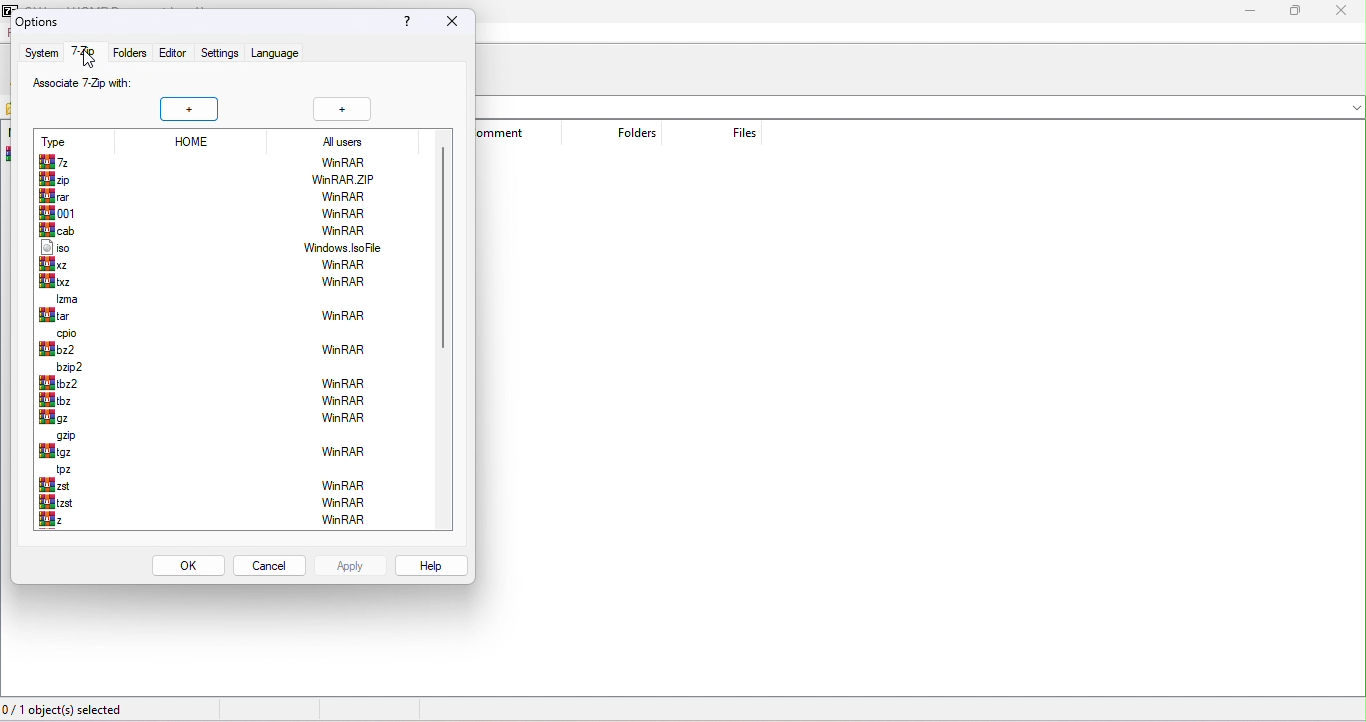 The image size is (1366, 722). I want to click on windows isofile, so click(349, 249).